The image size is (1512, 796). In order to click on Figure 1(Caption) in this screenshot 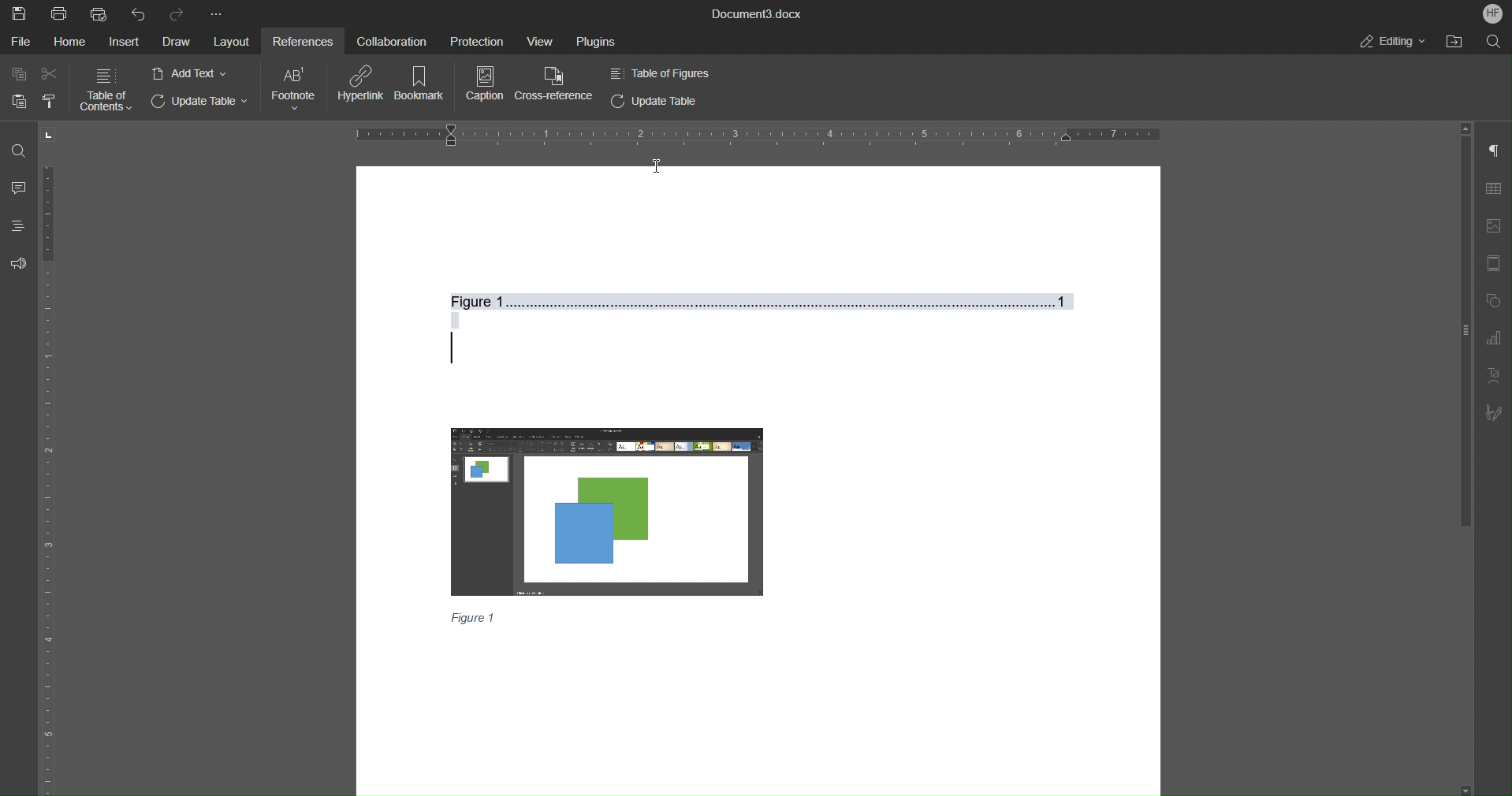, I will do `click(472, 619)`.